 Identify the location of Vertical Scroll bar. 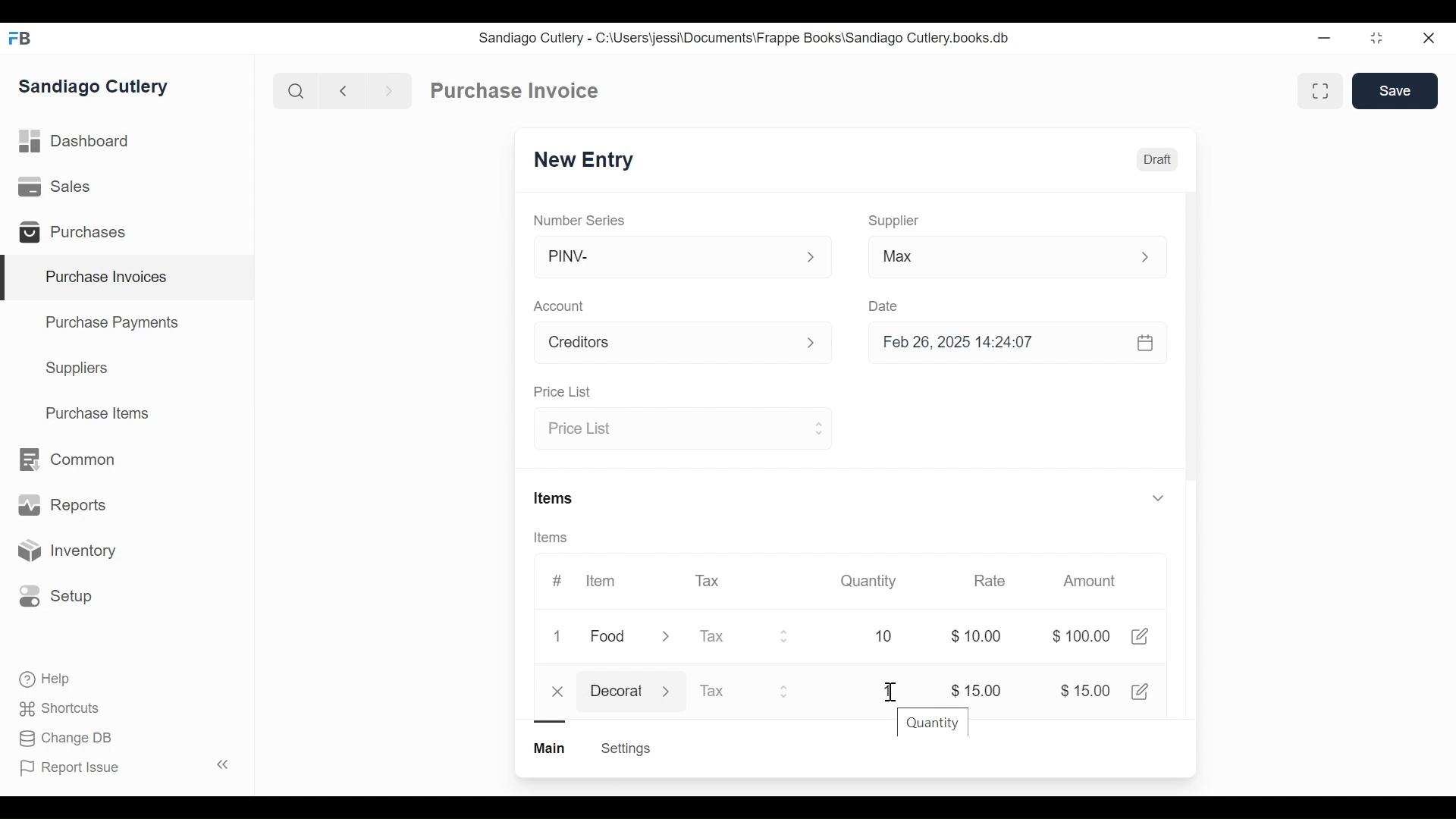
(1191, 358).